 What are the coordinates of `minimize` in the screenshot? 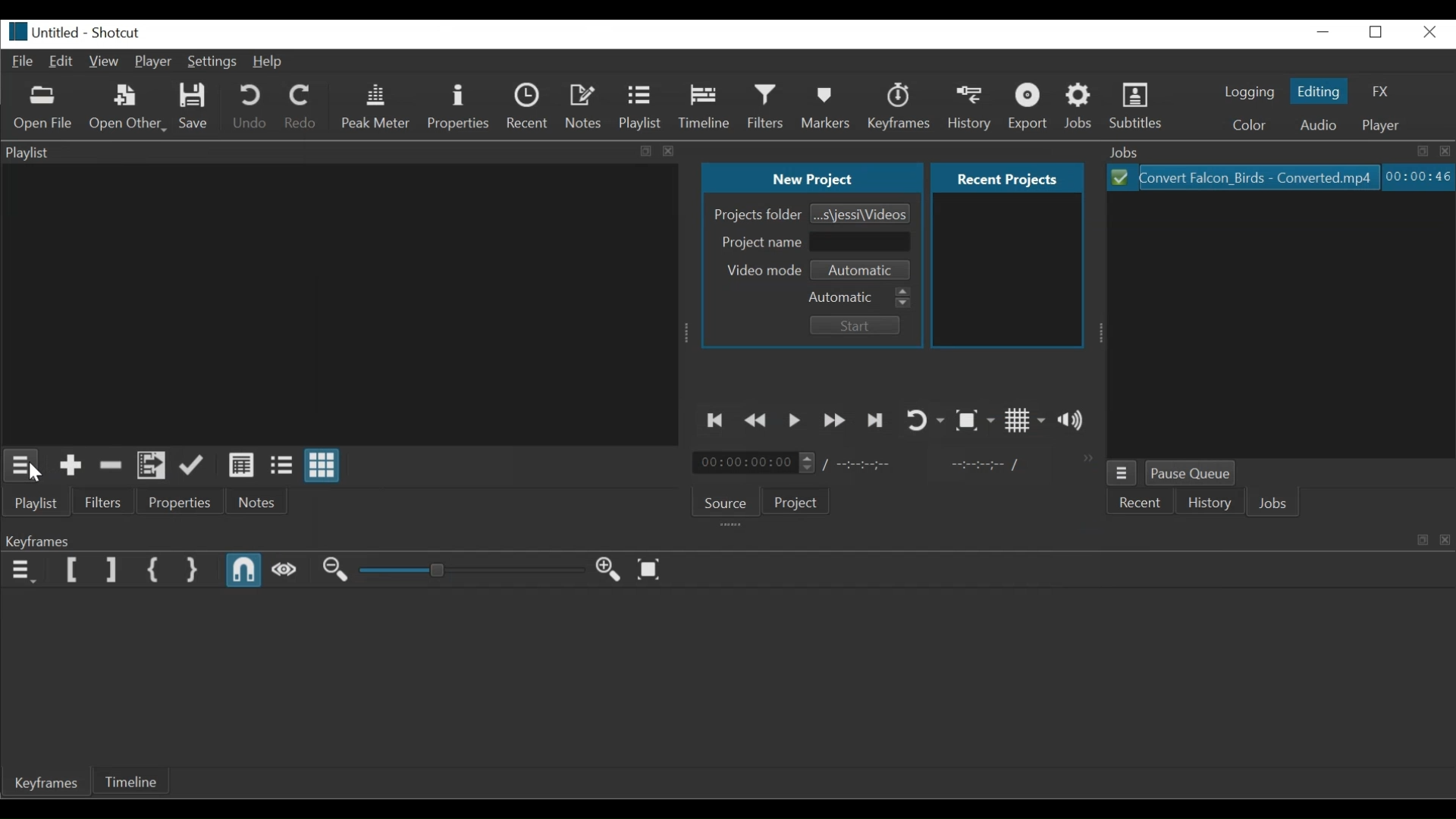 It's located at (1323, 32).